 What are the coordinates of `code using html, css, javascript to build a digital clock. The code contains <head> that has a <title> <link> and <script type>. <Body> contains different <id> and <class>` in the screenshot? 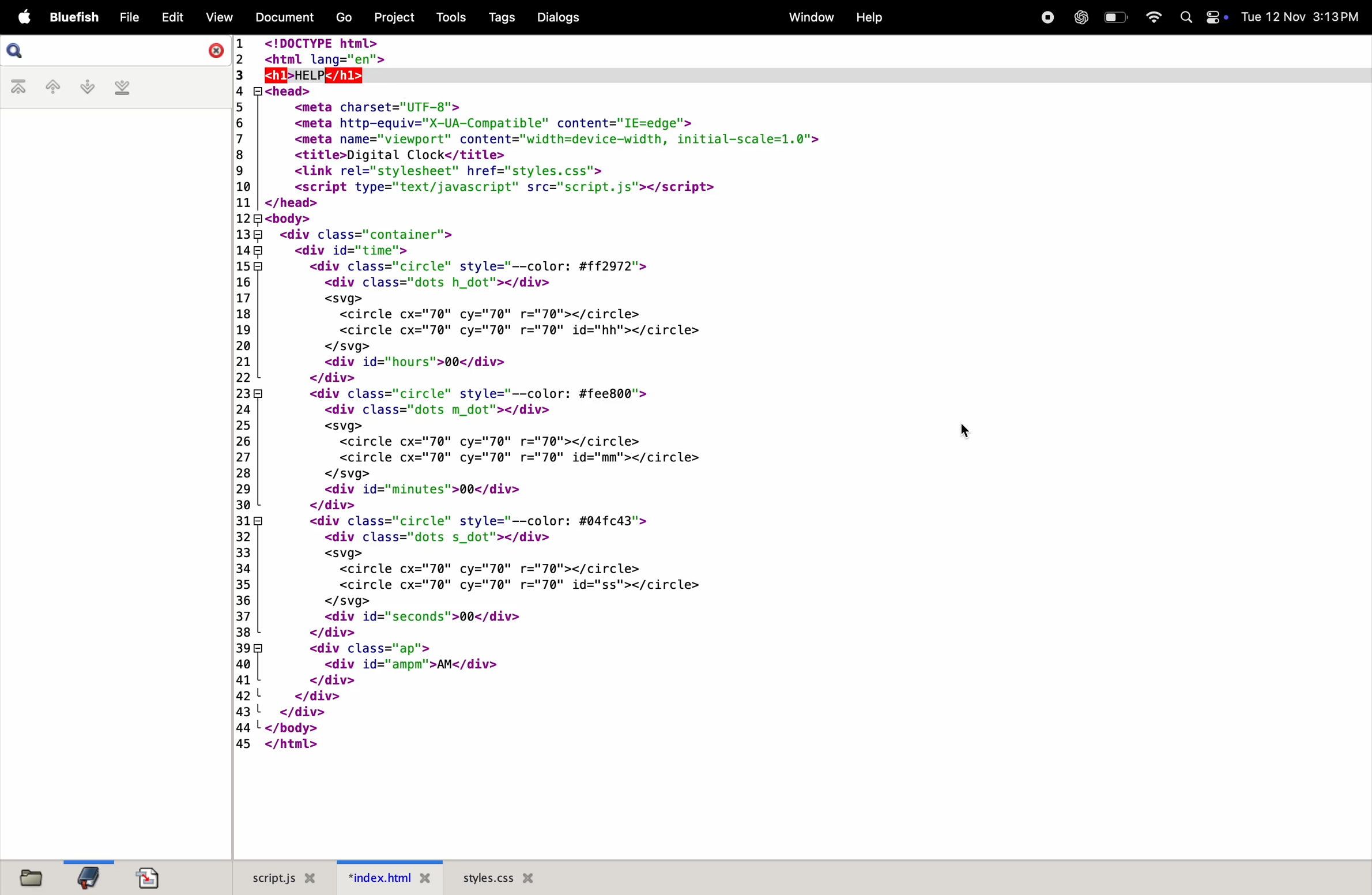 It's located at (797, 472).